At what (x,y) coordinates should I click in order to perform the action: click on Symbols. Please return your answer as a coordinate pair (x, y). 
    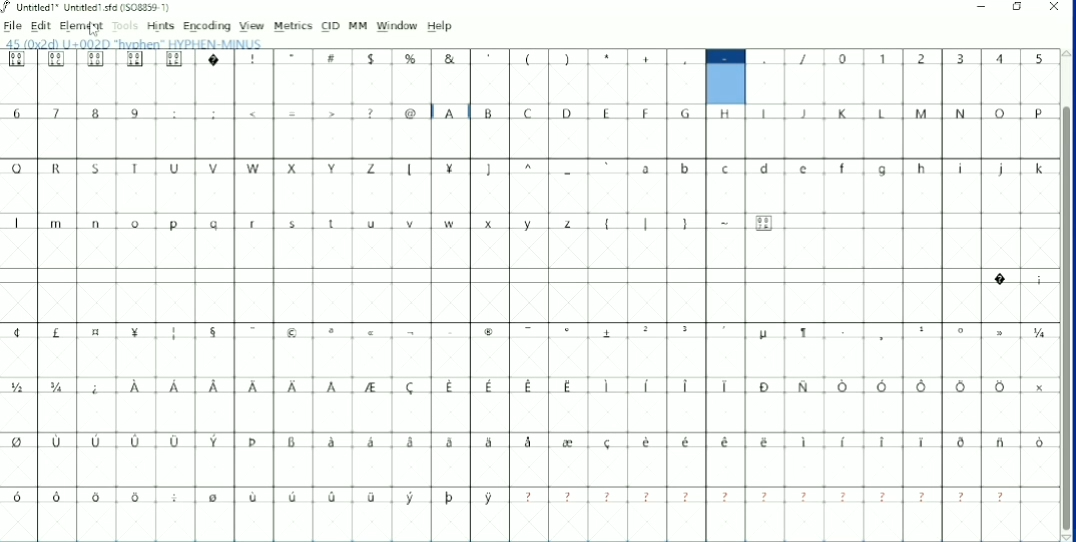
    Looking at the image, I should click on (294, 114).